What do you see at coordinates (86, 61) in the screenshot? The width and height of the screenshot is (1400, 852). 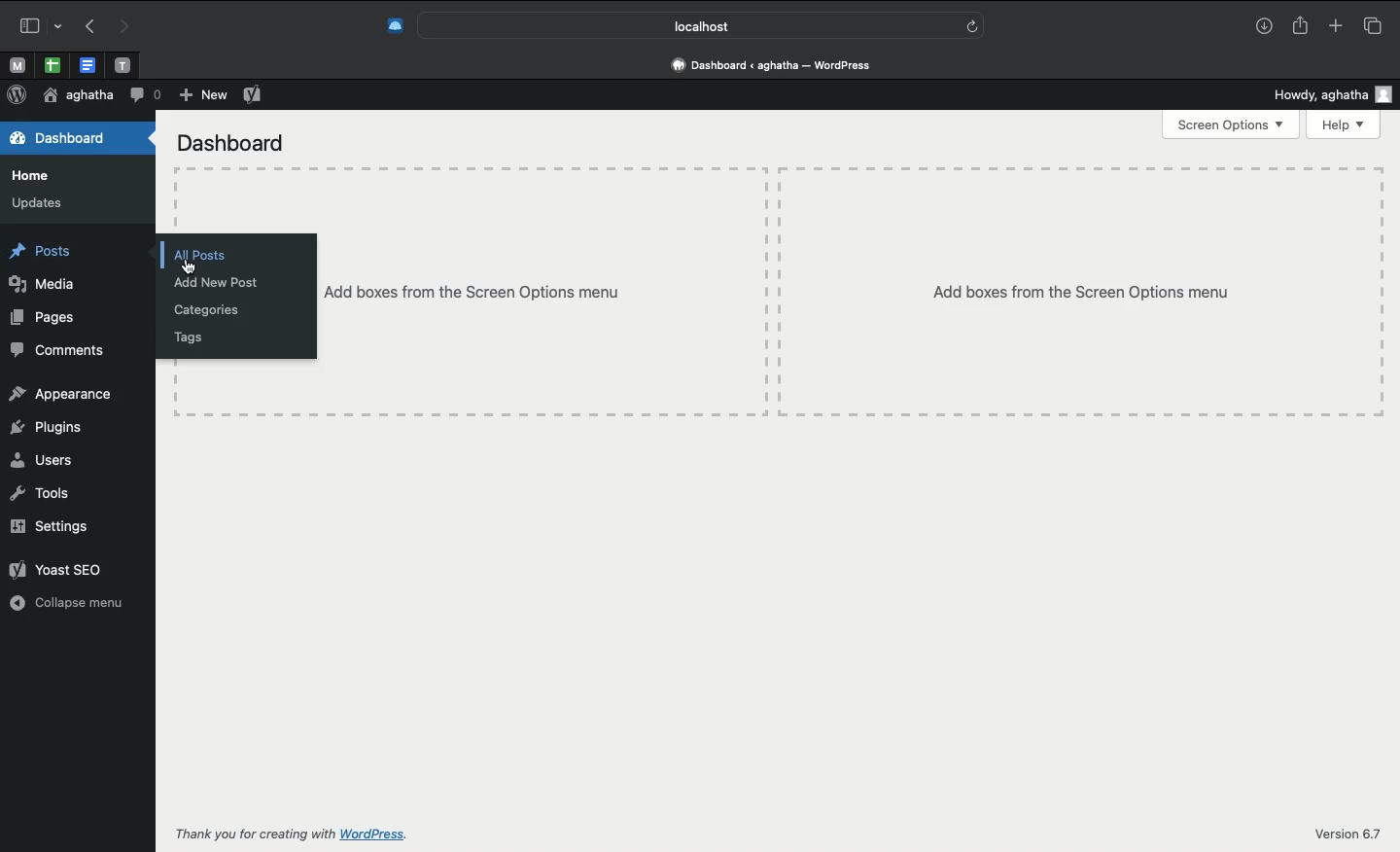 I see `pinned tab, google docs` at bounding box center [86, 61].